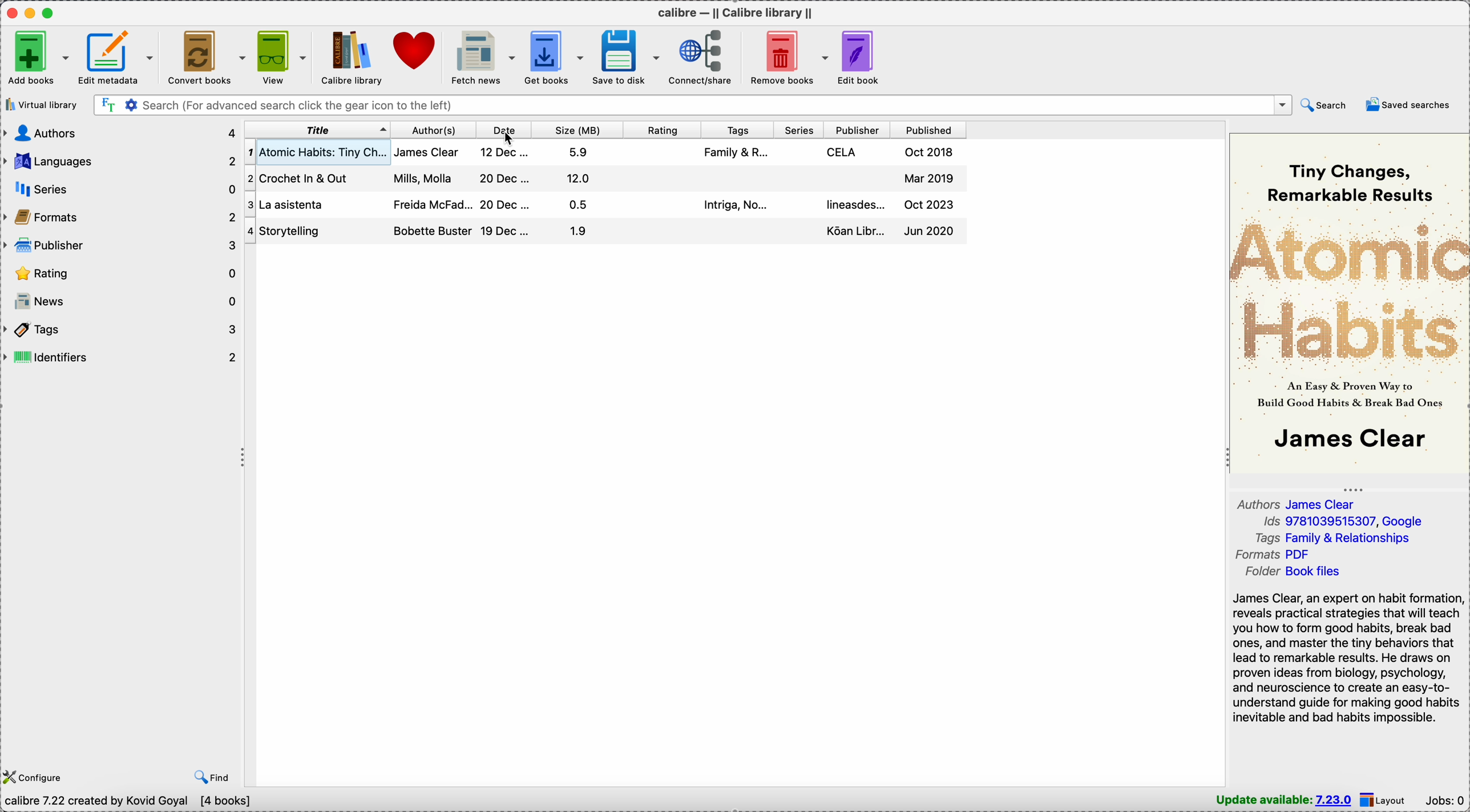  Describe the element at coordinates (858, 131) in the screenshot. I see `publisher` at that location.